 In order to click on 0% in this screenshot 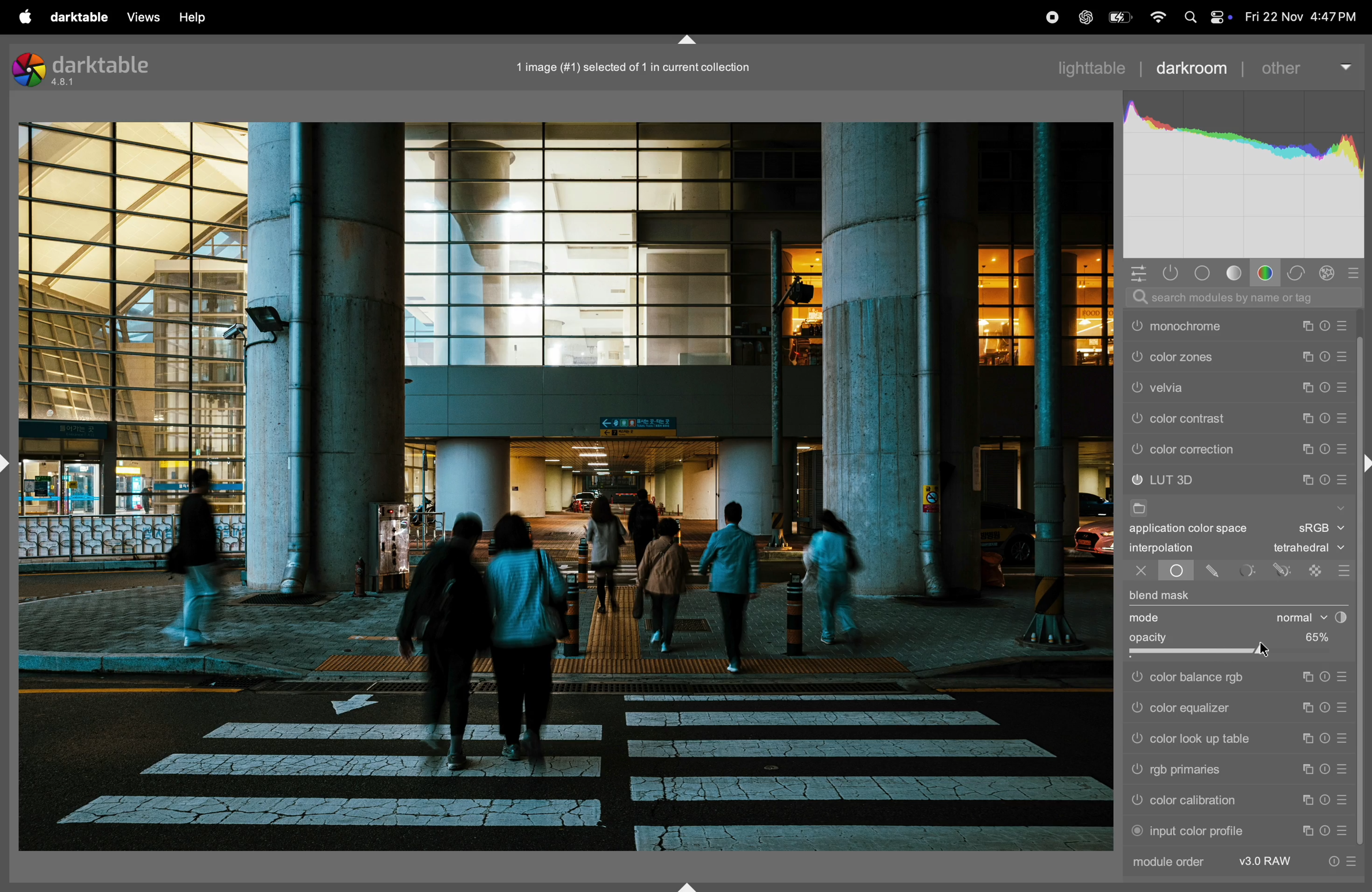, I will do `click(1310, 636)`.